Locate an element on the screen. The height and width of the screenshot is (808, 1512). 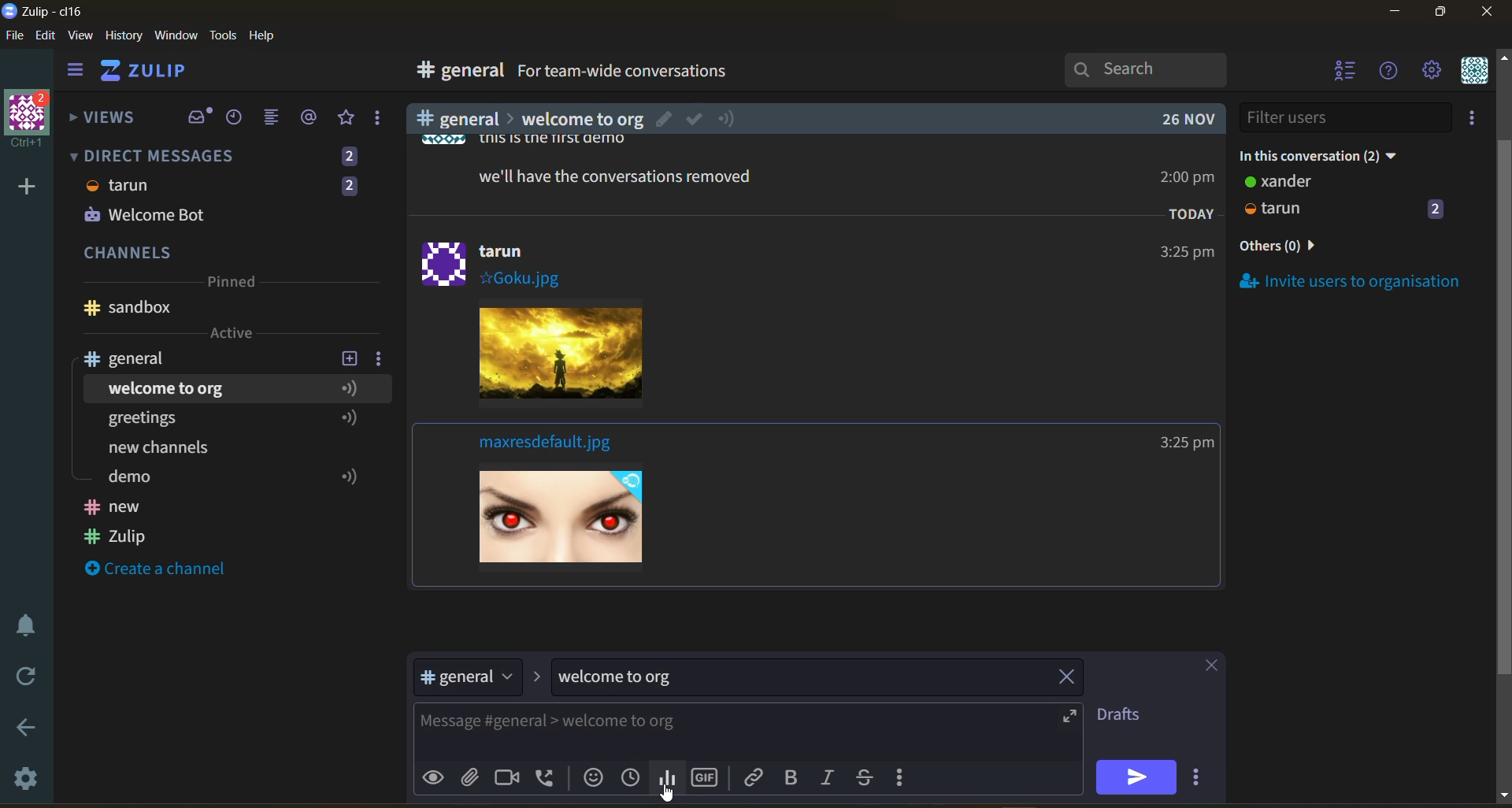
Channel name is located at coordinates (128, 308).